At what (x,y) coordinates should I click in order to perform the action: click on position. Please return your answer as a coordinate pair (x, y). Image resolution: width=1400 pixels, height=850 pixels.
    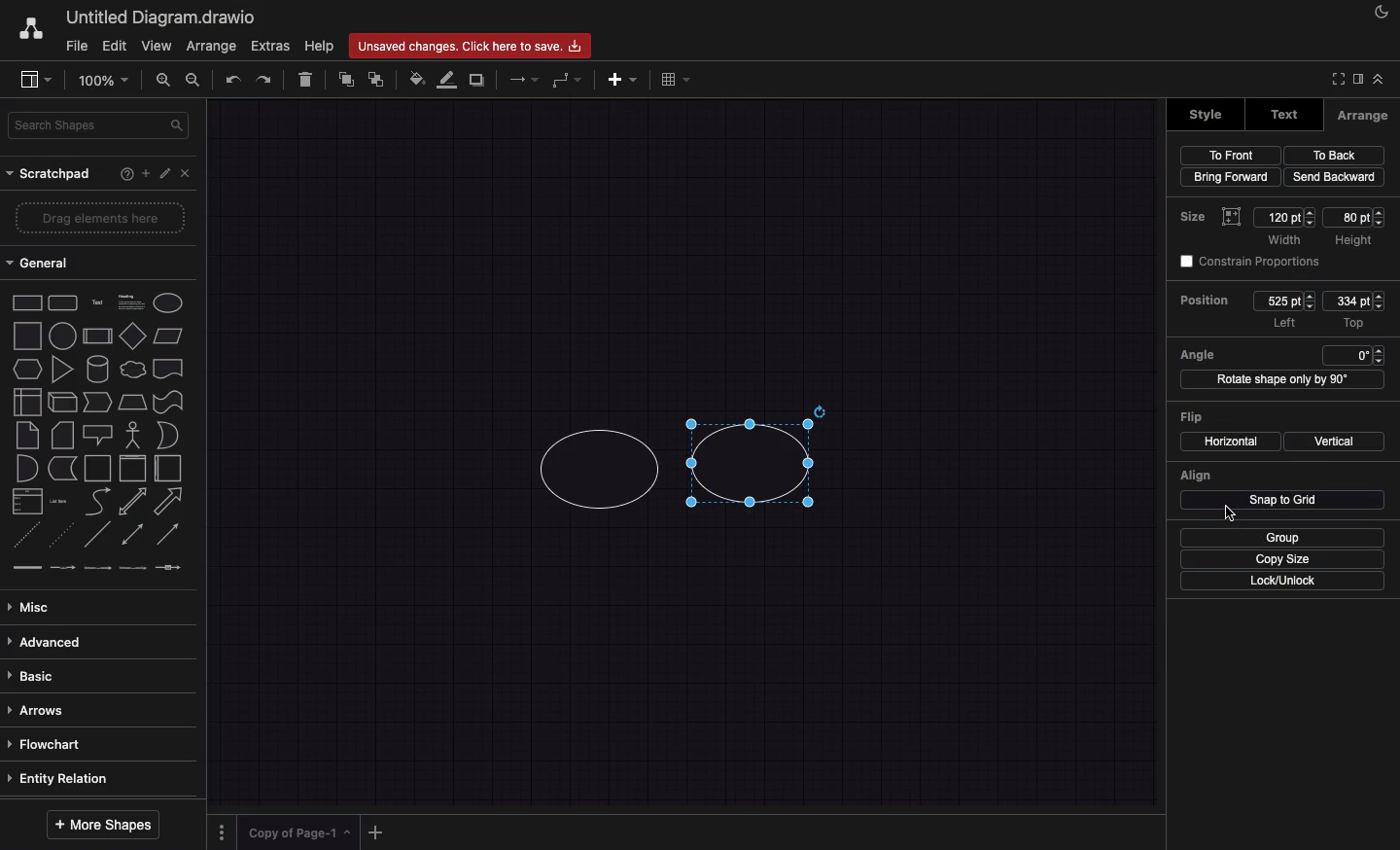
    Looking at the image, I should click on (1206, 301).